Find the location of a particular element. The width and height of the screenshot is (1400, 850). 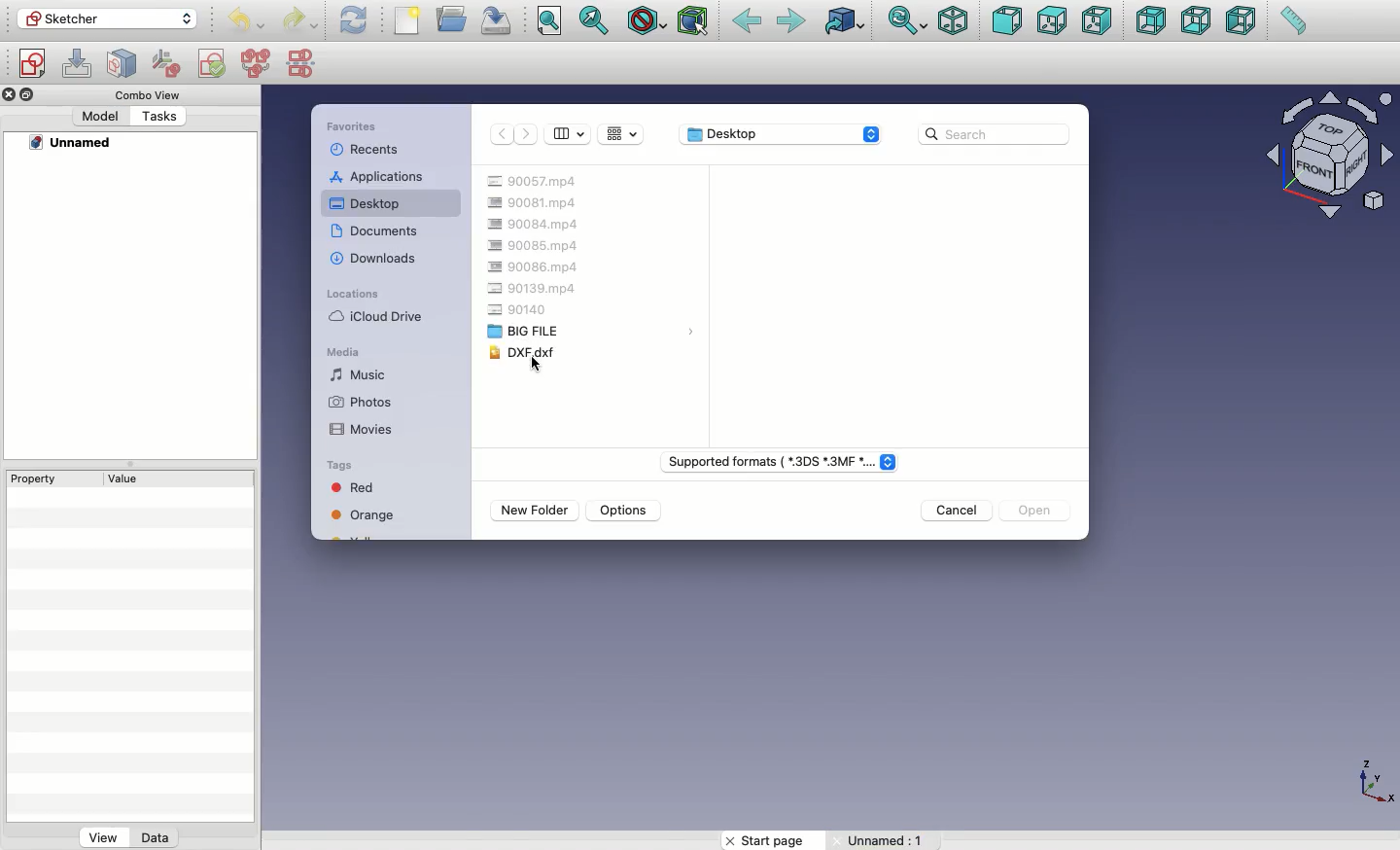

Back is located at coordinates (749, 22).